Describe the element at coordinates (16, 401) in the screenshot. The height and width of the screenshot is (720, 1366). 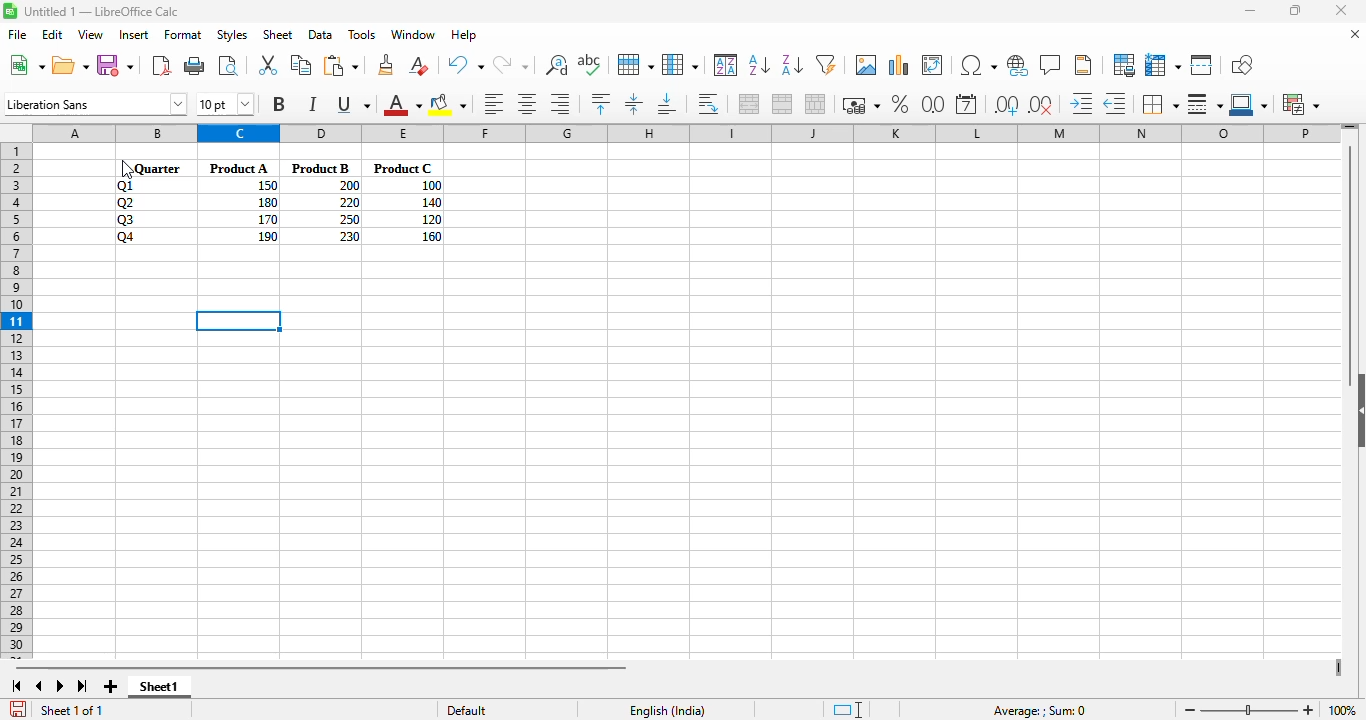
I see `rows` at that location.